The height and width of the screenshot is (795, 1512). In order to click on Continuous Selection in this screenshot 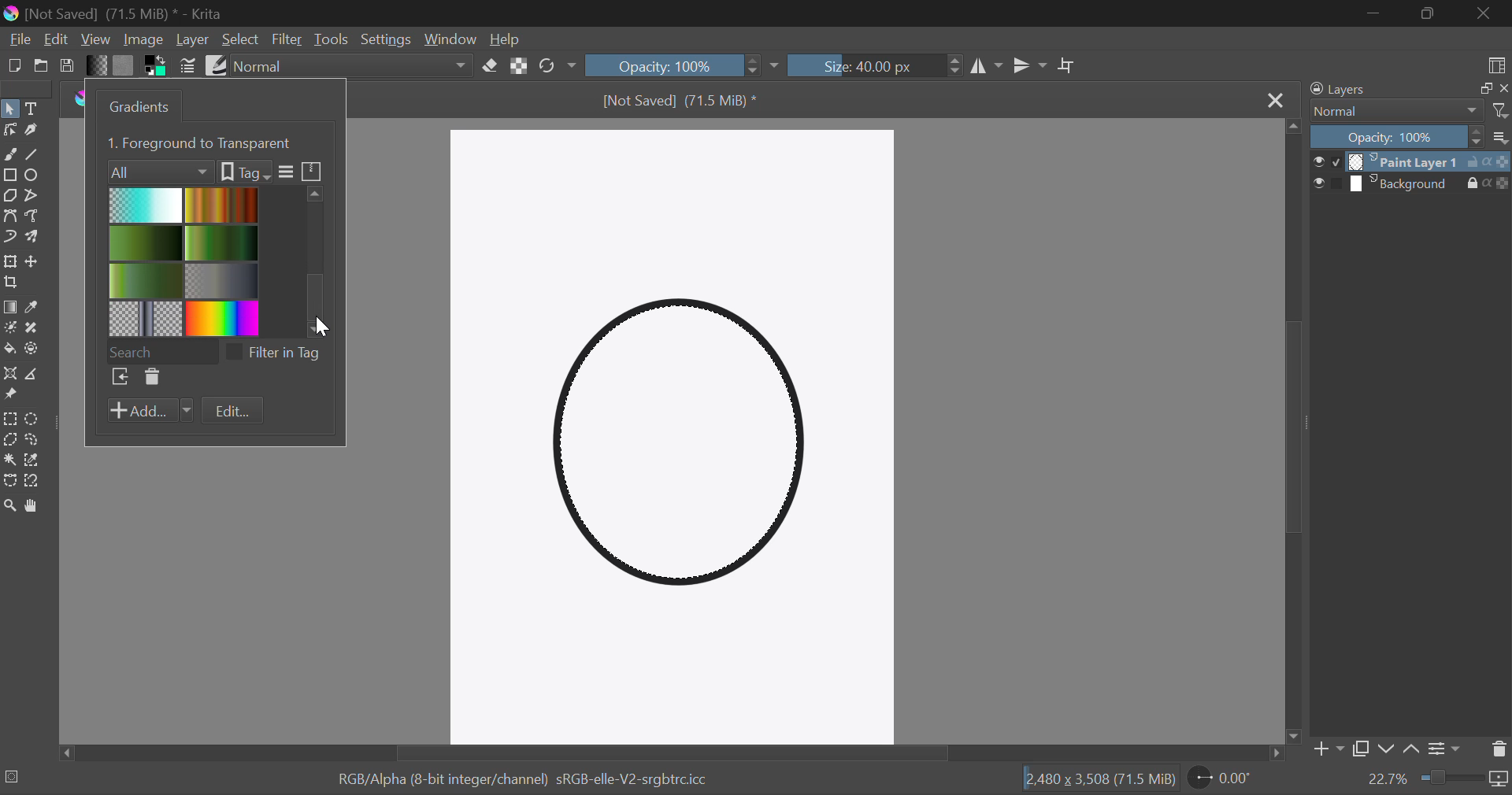, I will do `click(11, 459)`.